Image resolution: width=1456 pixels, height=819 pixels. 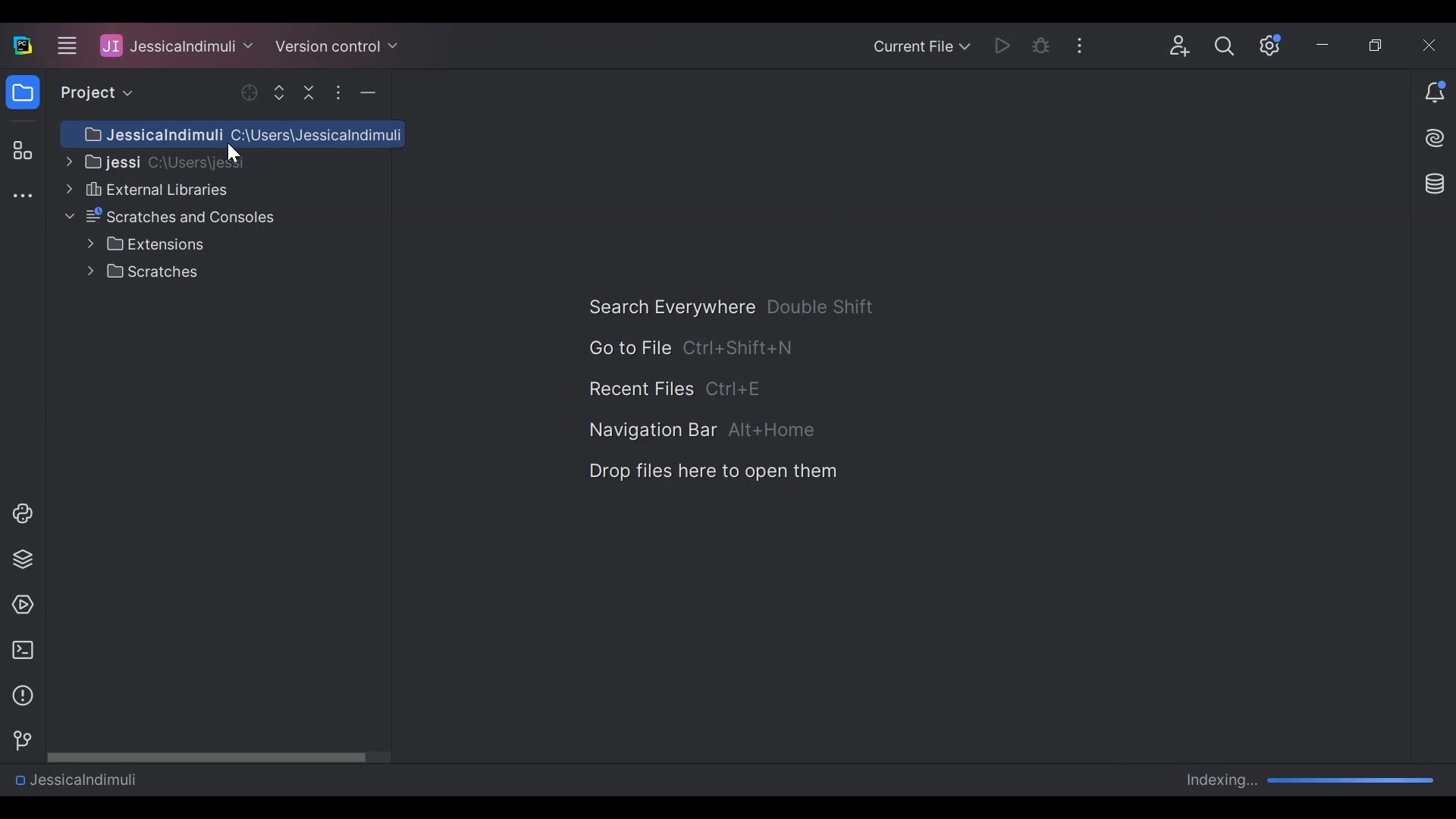 What do you see at coordinates (20, 152) in the screenshot?
I see `Structure` at bounding box center [20, 152].